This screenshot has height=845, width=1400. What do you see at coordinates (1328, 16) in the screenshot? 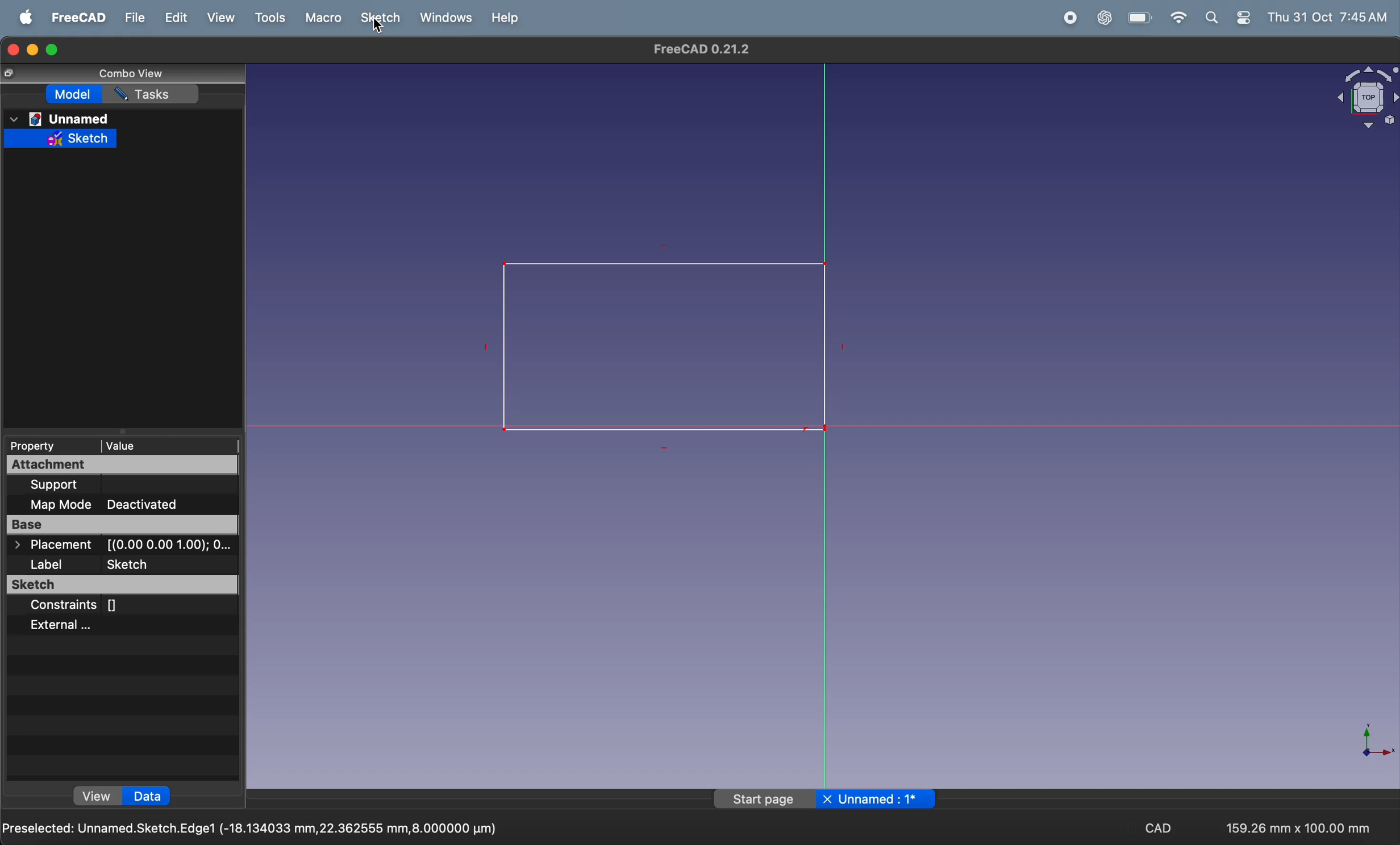
I see `thu 31 oct 7.45` at bounding box center [1328, 16].